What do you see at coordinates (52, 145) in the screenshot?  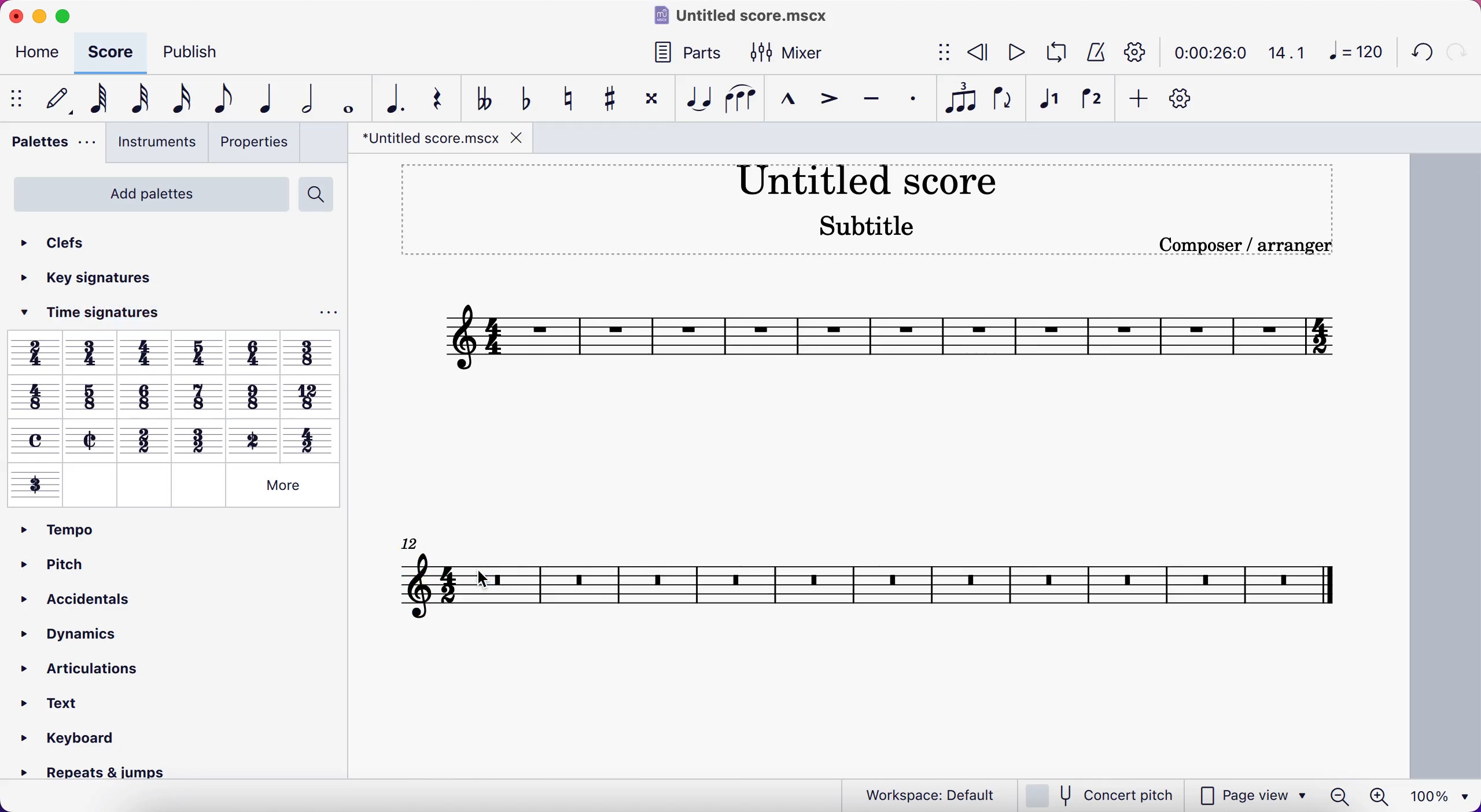 I see `palettes` at bounding box center [52, 145].